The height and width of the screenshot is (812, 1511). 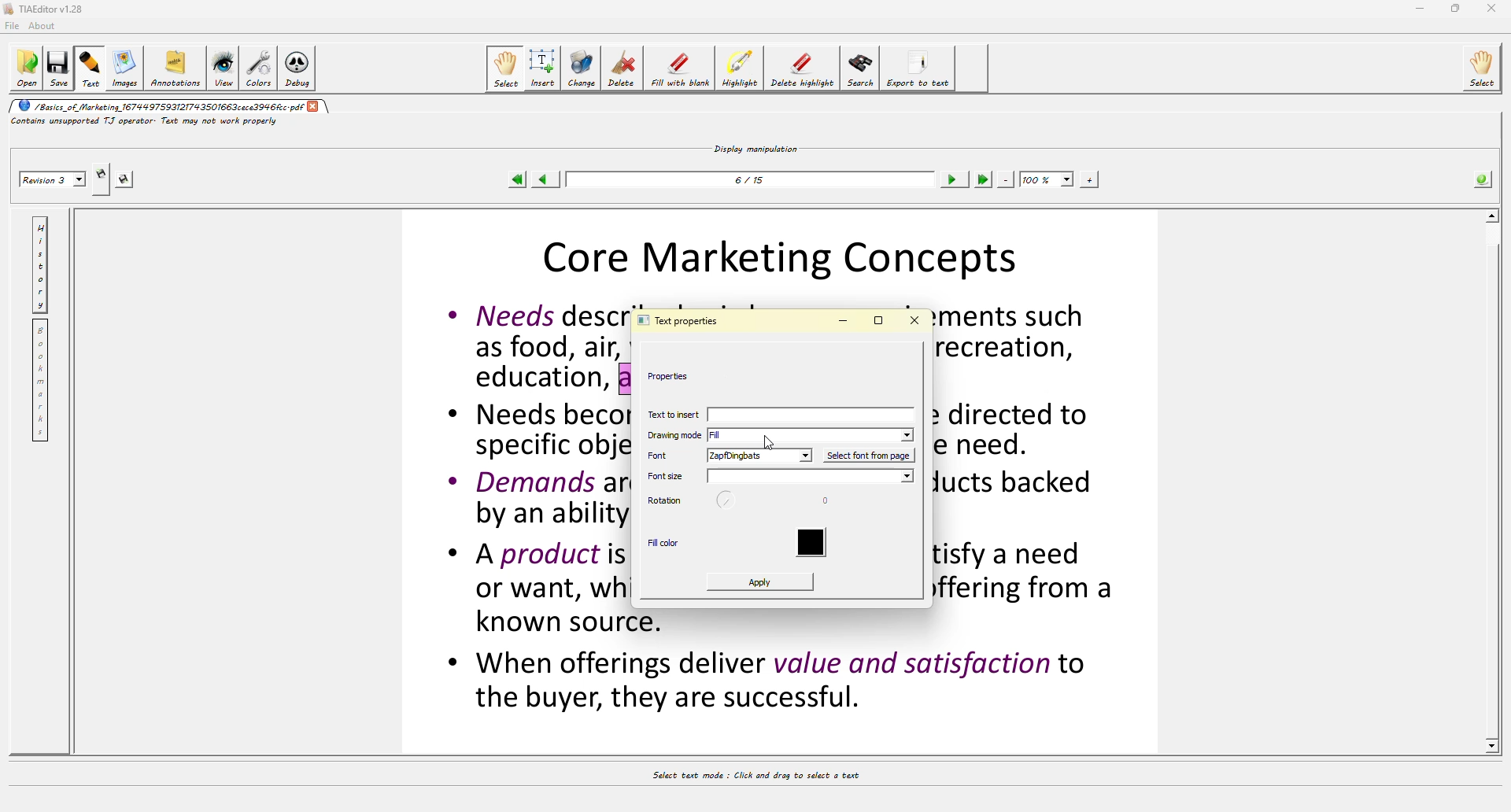 I want to click on about, so click(x=46, y=27).